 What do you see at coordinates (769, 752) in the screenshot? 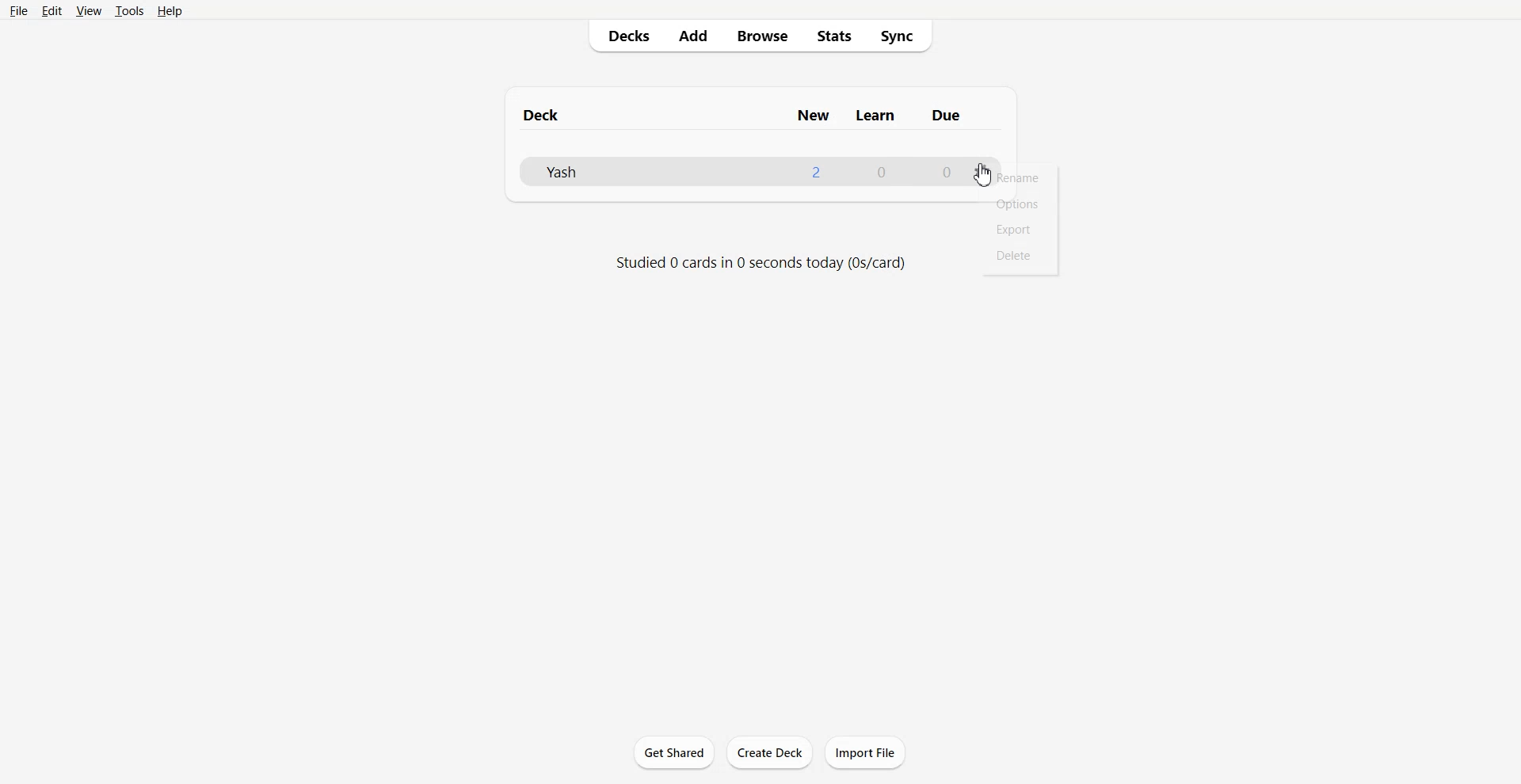
I see `Create Deck` at bounding box center [769, 752].